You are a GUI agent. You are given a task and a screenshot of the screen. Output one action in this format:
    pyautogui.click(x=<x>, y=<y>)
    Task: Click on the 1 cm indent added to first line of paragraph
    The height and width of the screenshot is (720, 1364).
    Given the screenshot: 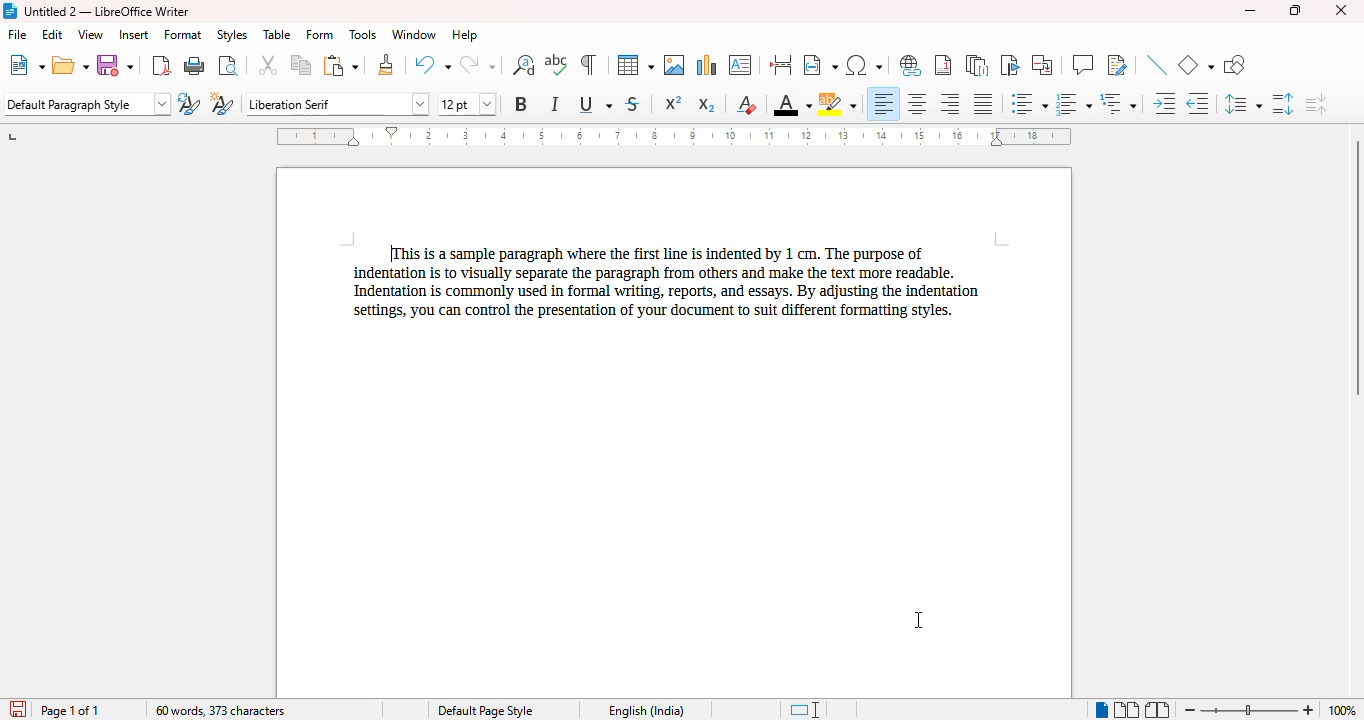 What is the action you would take?
    pyautogui.click(x=372, y=256)
    